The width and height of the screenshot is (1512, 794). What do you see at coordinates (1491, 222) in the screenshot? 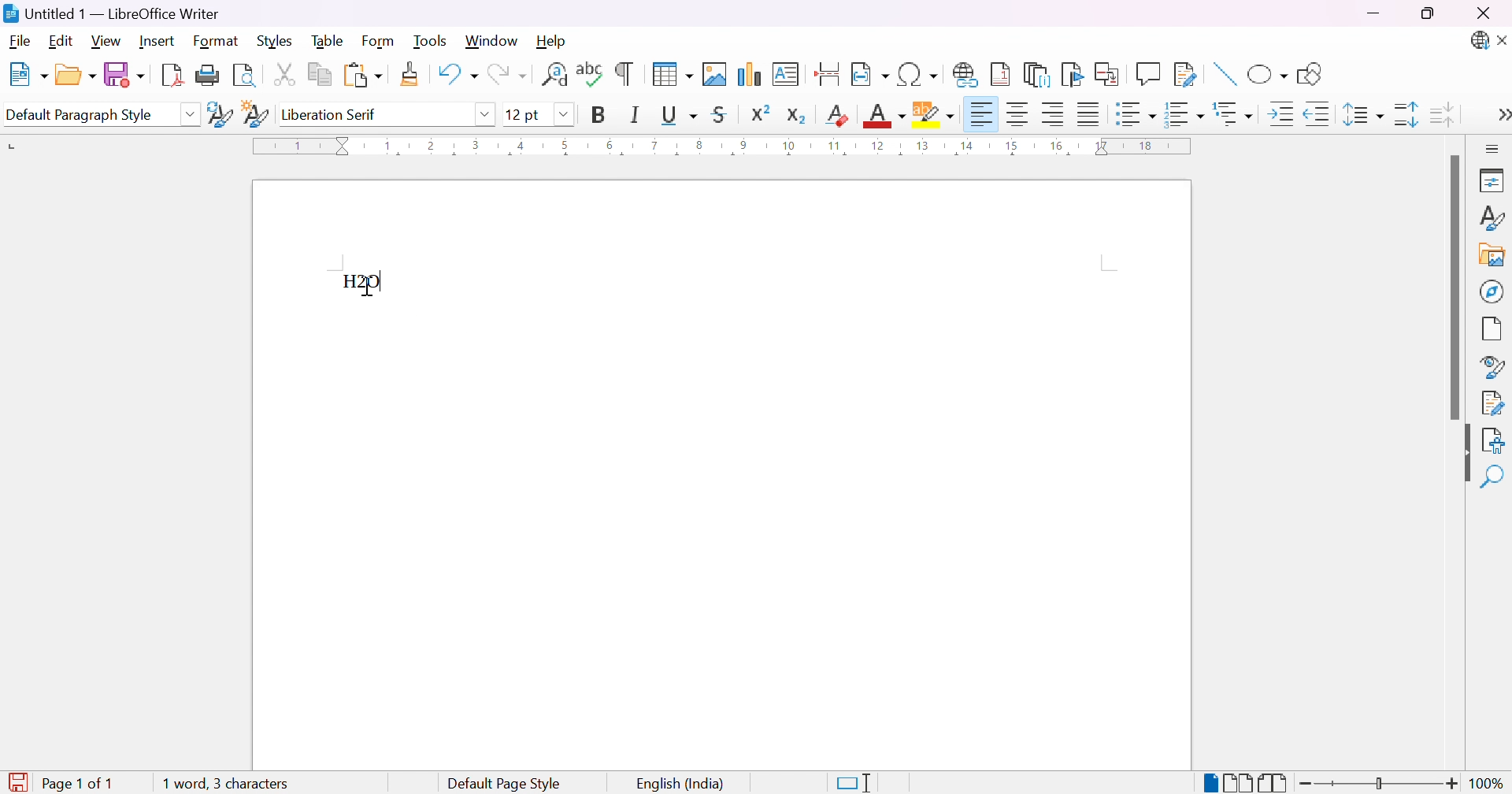
I see `Styles` at bounding box center [1491, 222].